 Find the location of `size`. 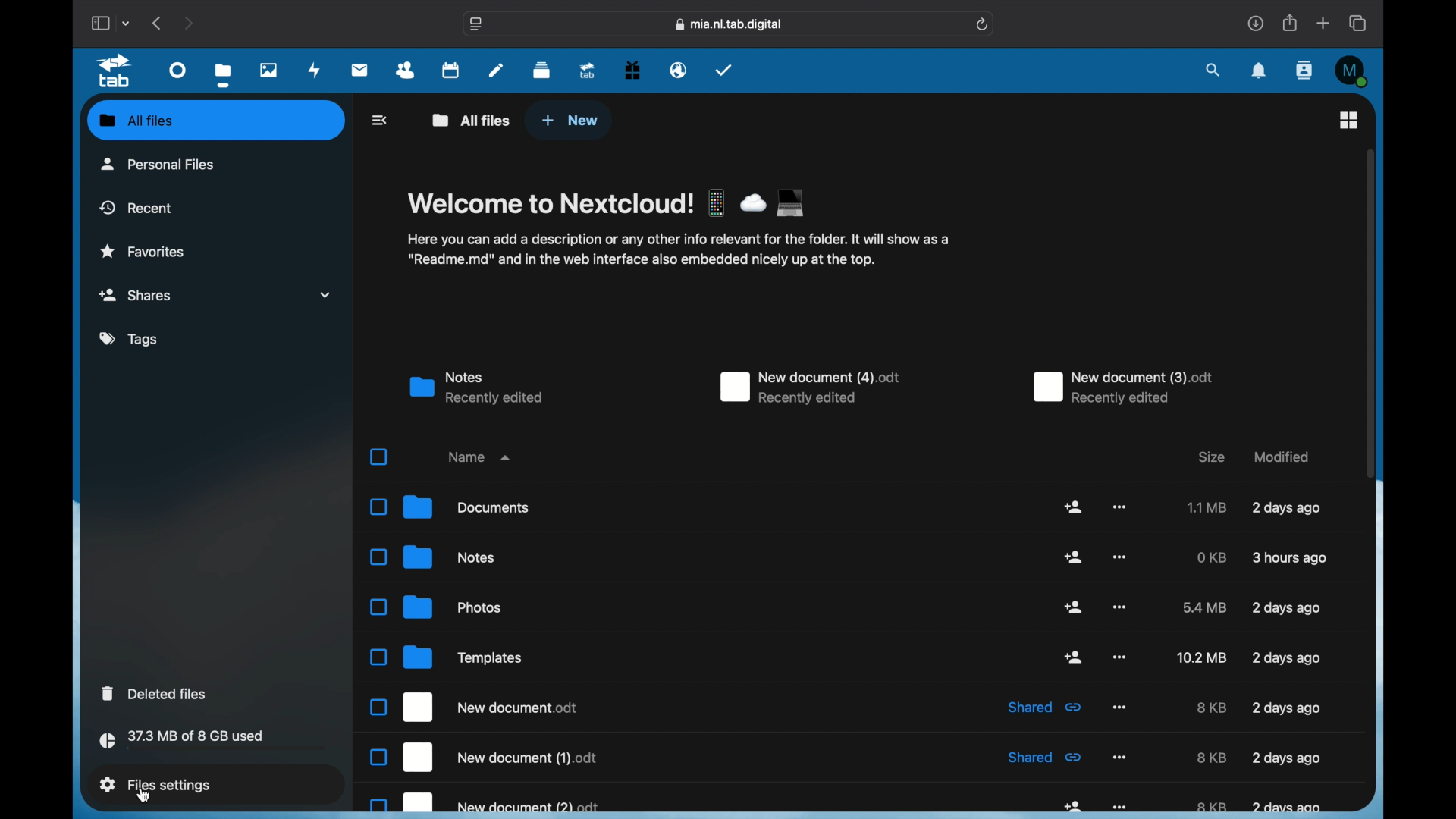

size is located at coordinates (1212, 557).